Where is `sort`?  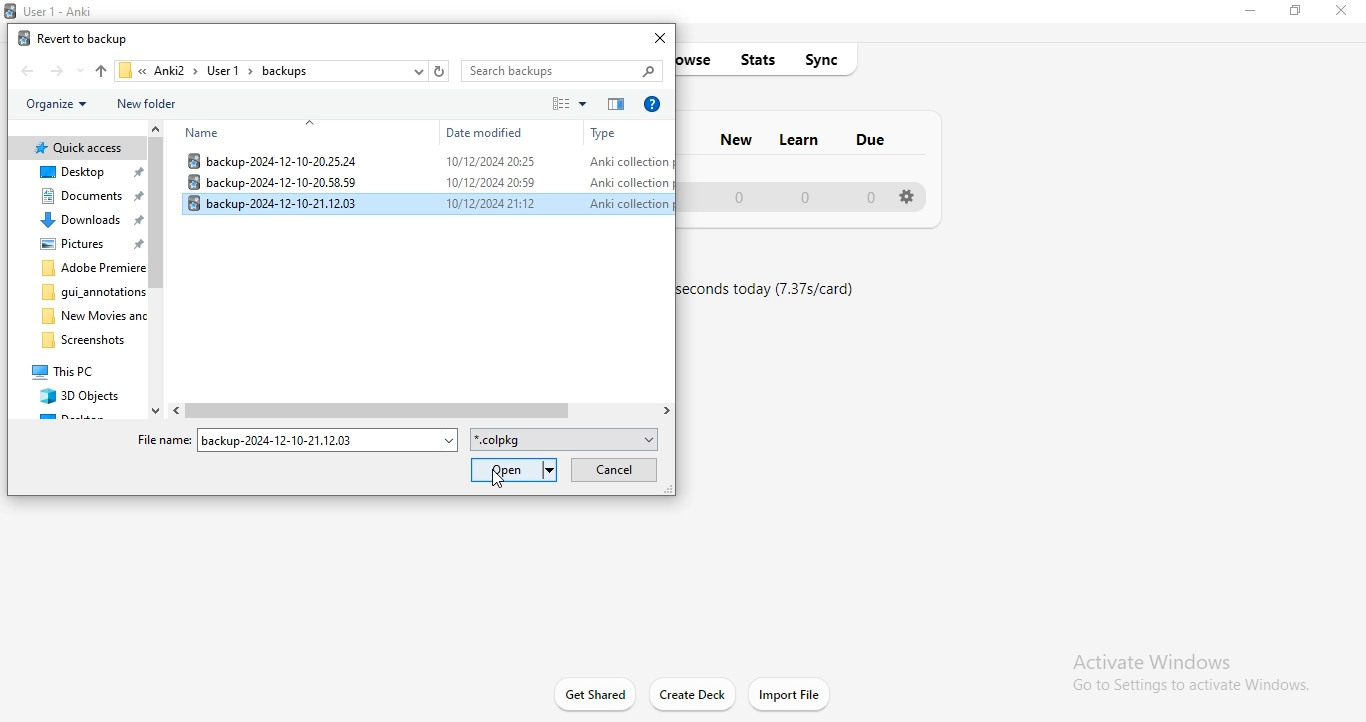 sort is located at coordinates (569, 105).